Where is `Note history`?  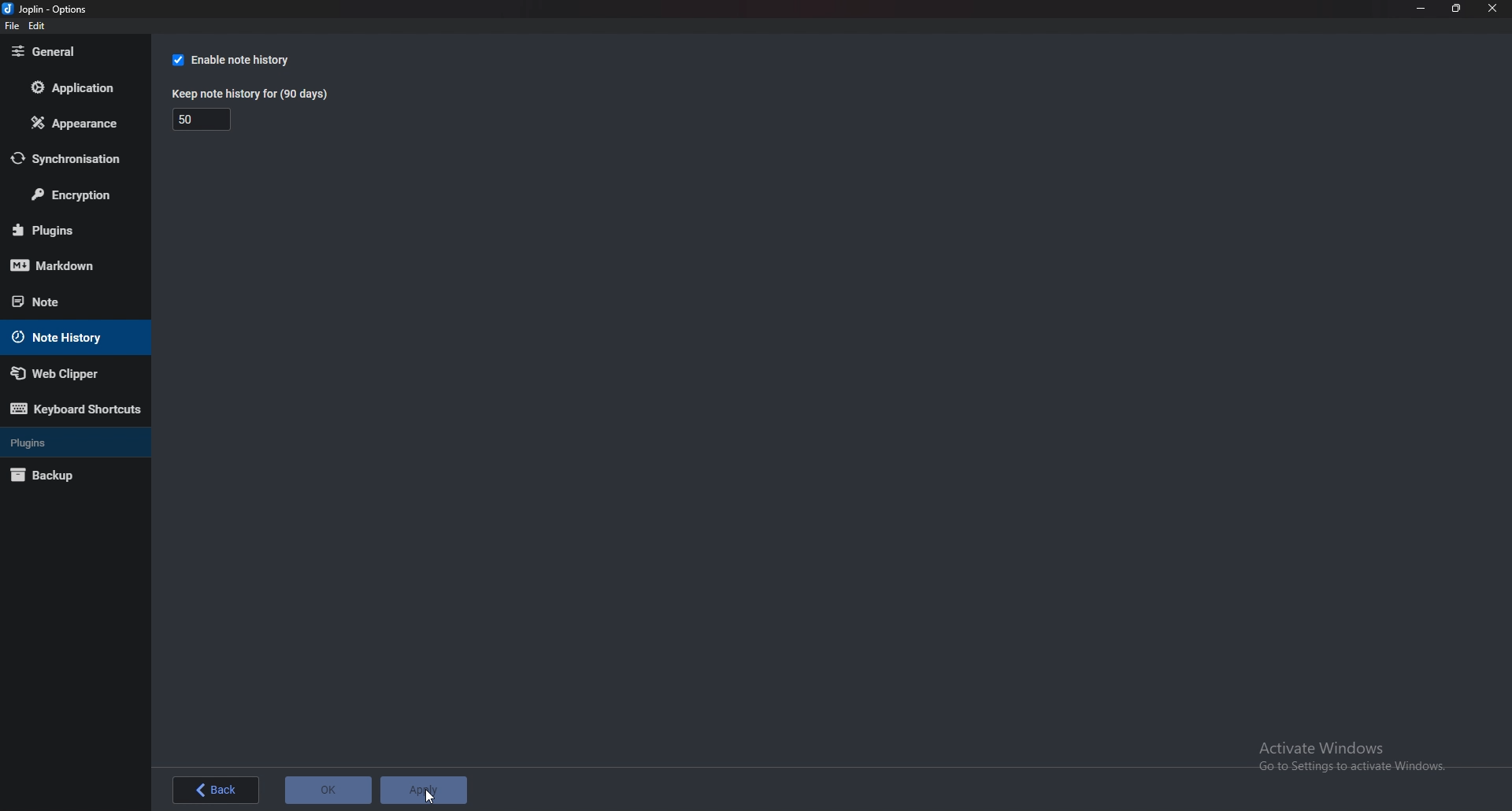
Note history is located at coordinates (69, 338).